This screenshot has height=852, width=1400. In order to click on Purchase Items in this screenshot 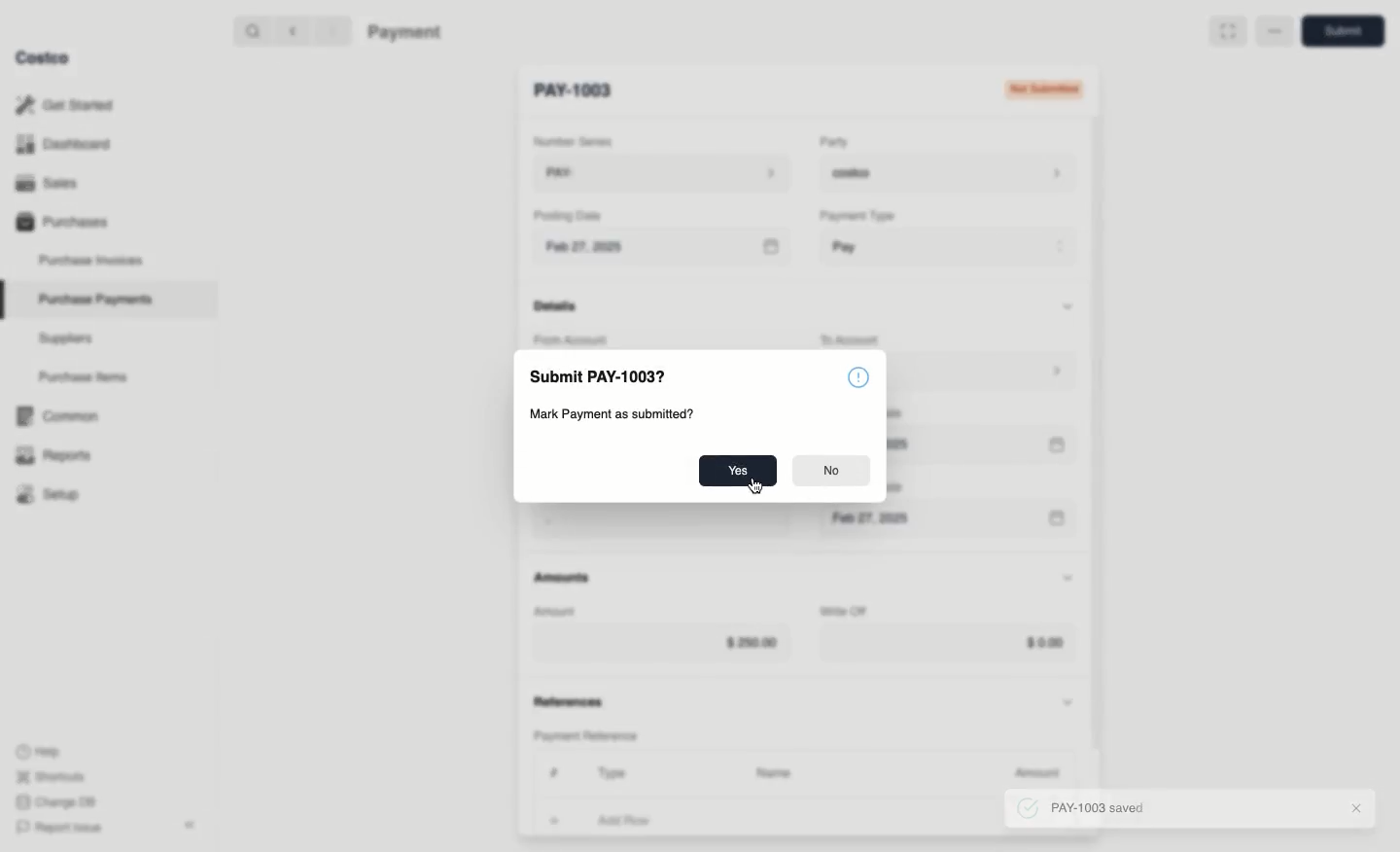, I will do `click(86, 377)`.